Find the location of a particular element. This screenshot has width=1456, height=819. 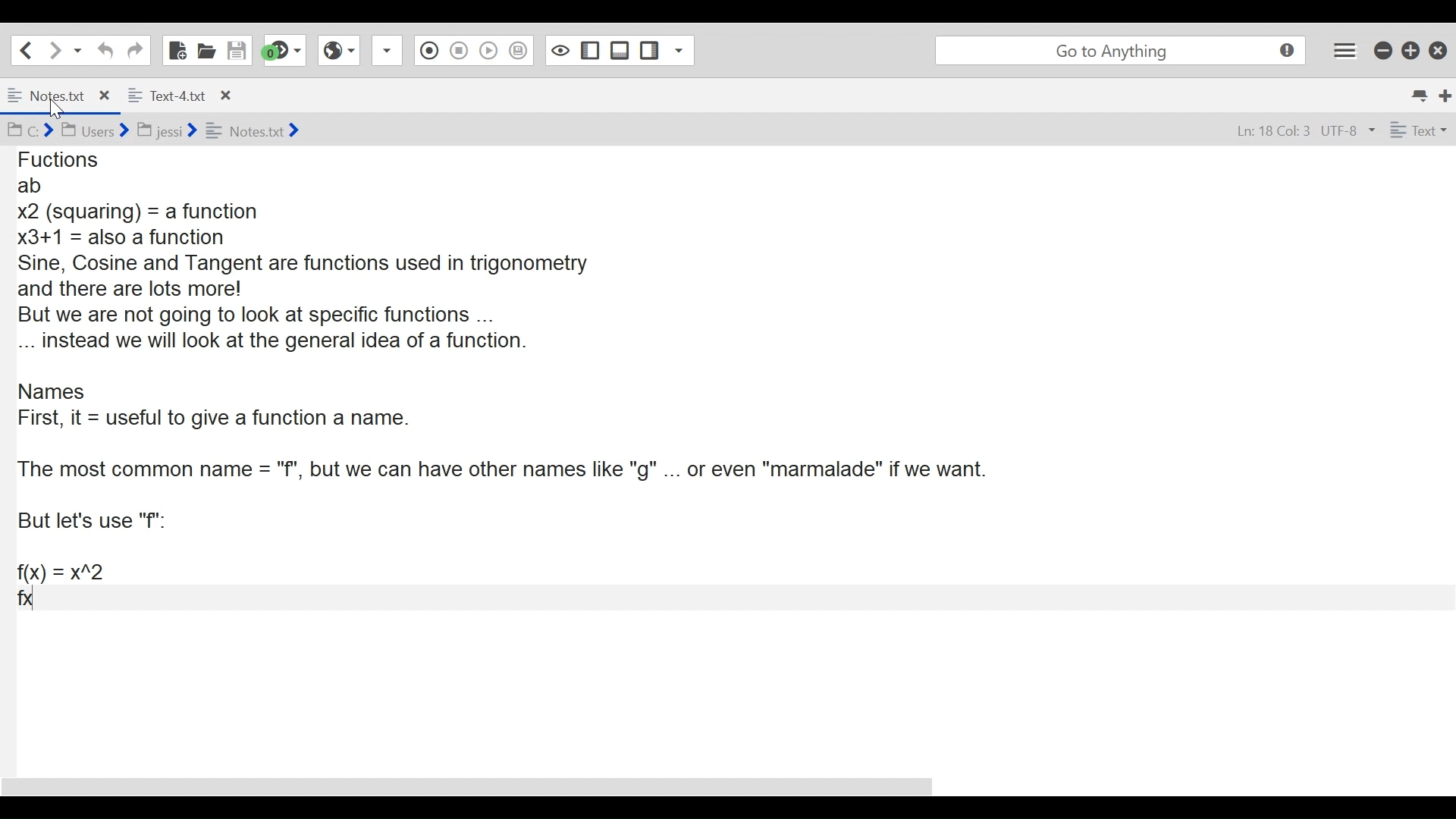

jessi is located at coordinates (168, 127).